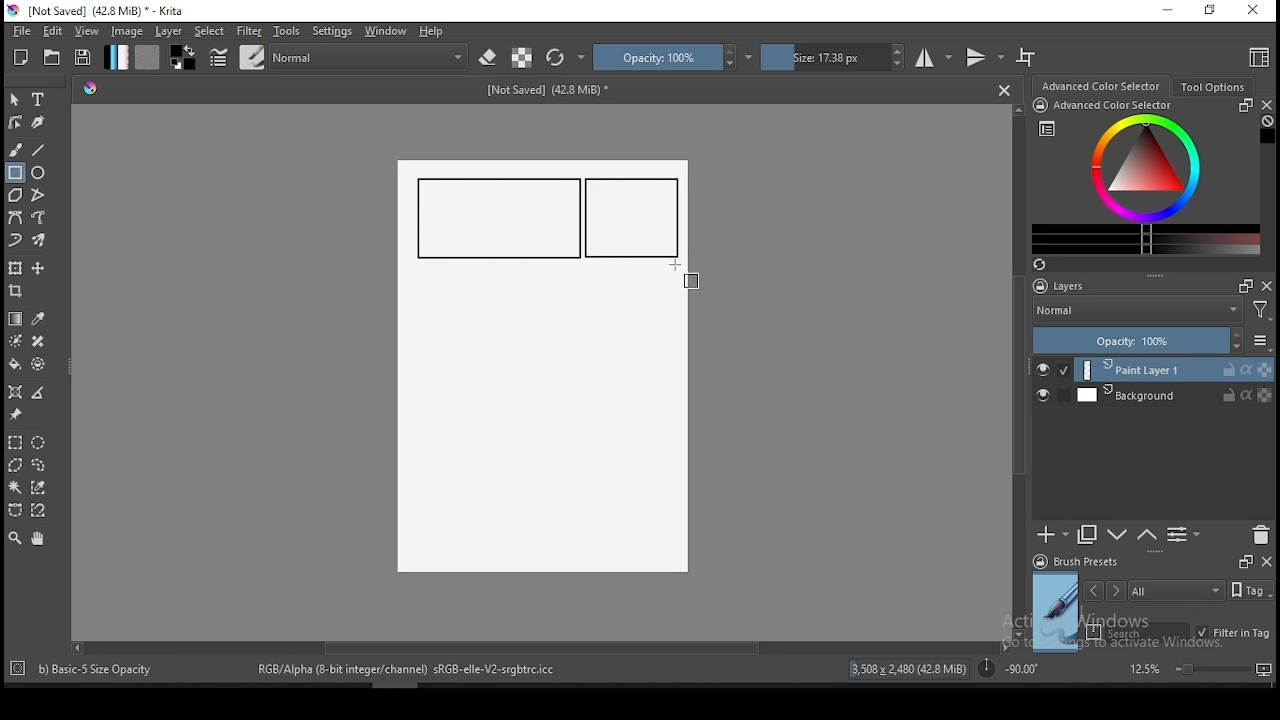 This screenshot has width=1280, height=720. What do you see at coordinates (16, 319) in the screenshot?
I see `gradient tool` at bounding box center [16, 319].